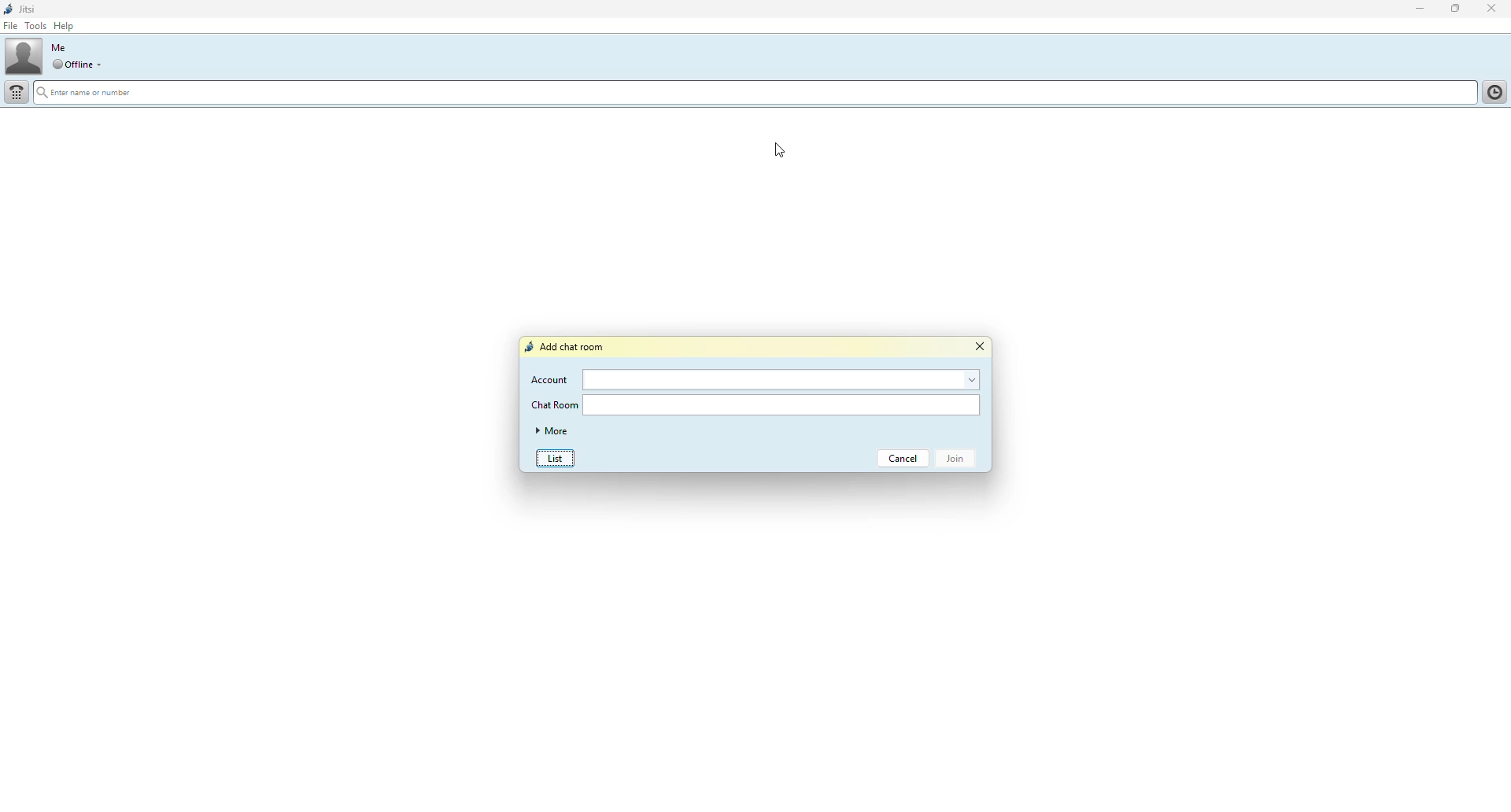  What do you see at coordinates (955, 463) in the screenshot?
I see `join` at bounding box center [955, 463].